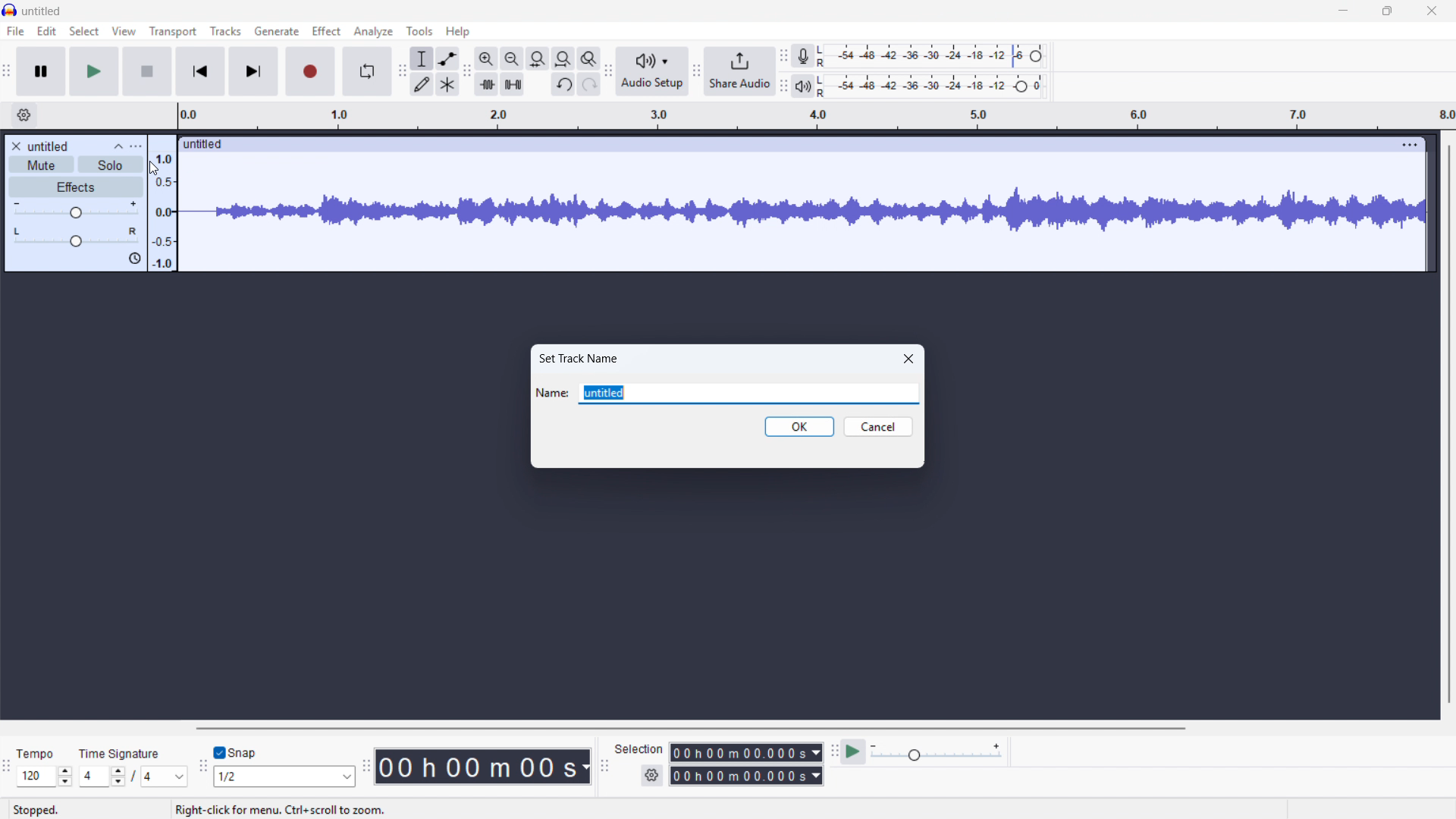 This screenshot has width=1456, height=819. Describe the element at coordinates (117, 146) in the screenshot. I see `Collapse ` at that location.